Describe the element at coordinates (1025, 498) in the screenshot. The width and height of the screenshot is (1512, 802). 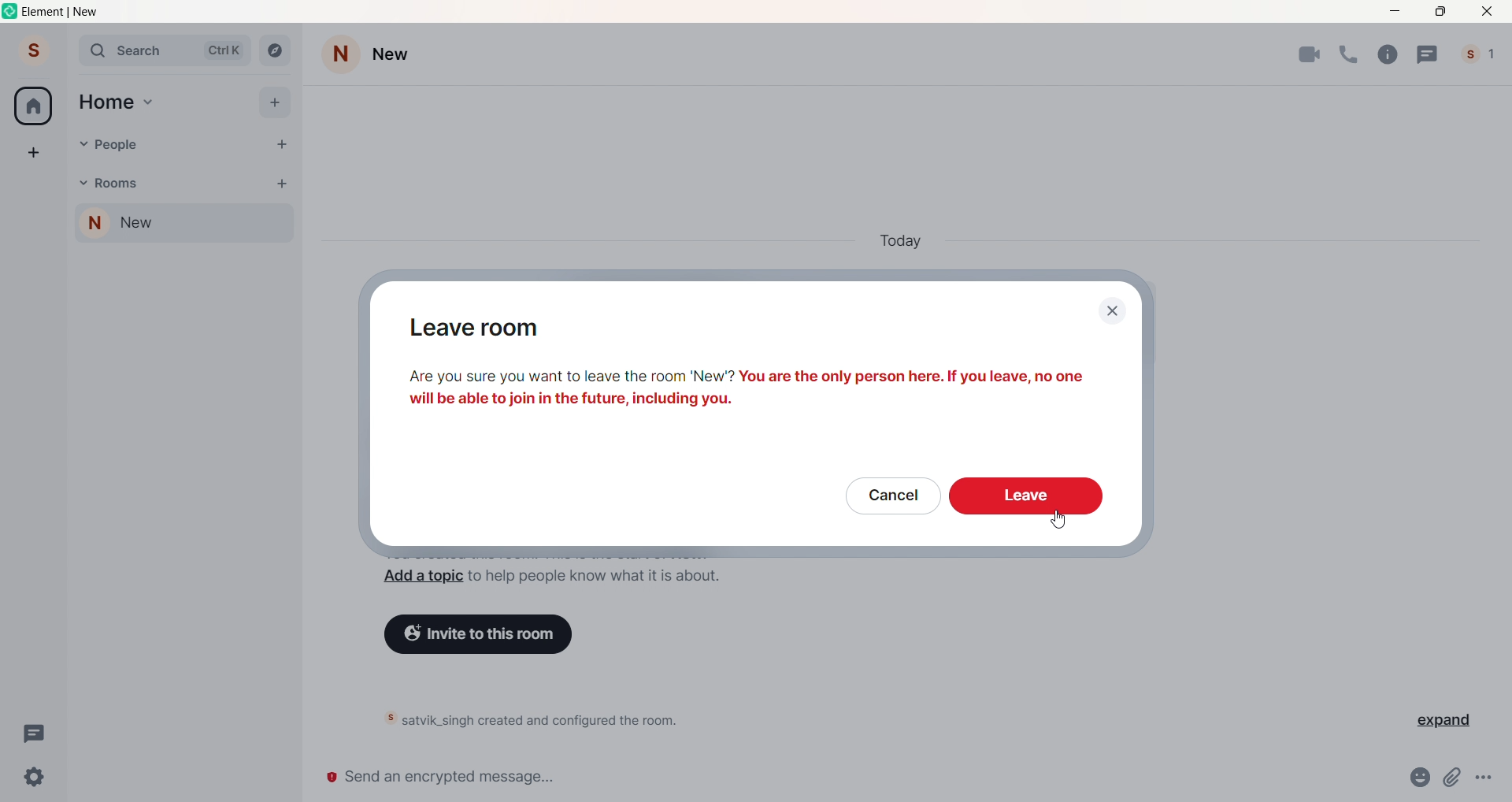
I see `Leave` at that location.